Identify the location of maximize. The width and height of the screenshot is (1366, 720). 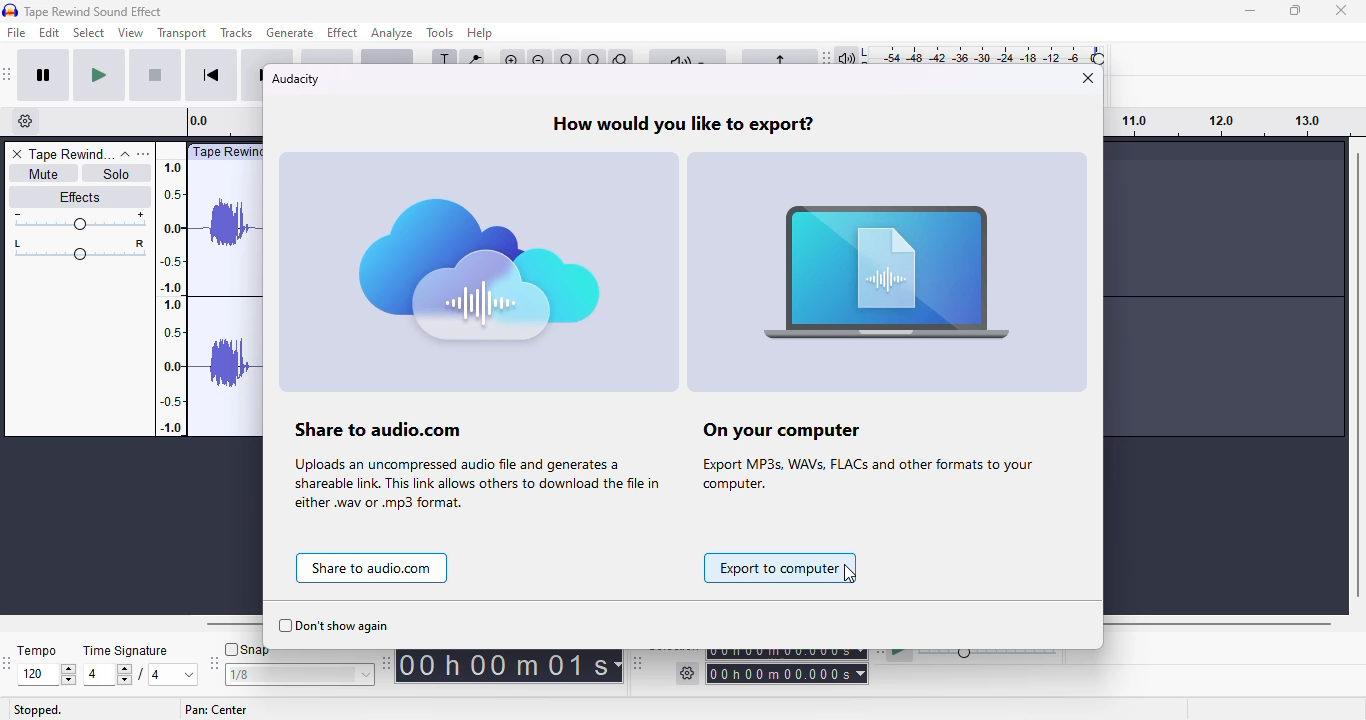
(1297, 11).